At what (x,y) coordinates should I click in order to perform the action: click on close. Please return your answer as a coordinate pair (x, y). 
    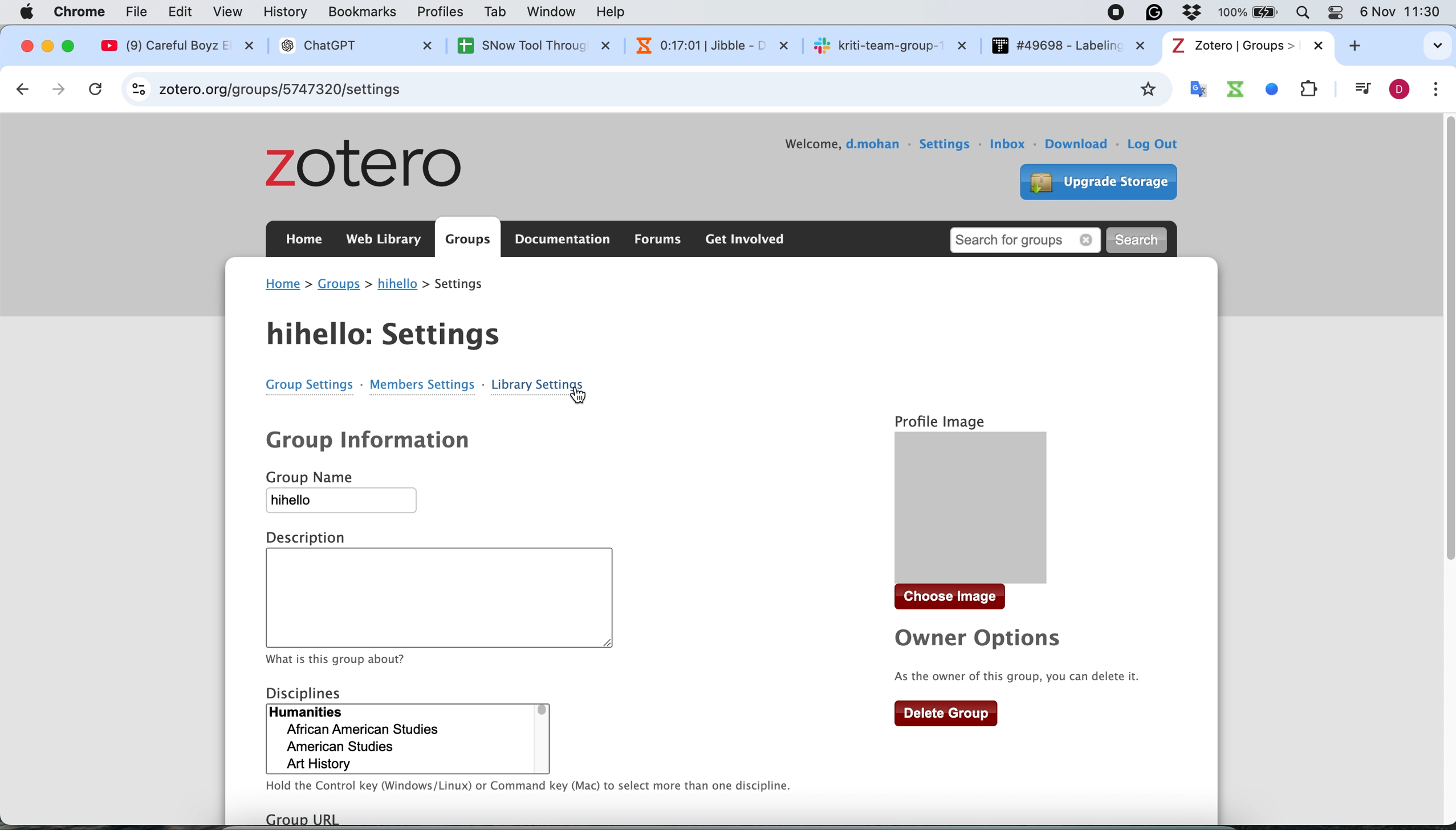
    Looking at the image, I should click on (25, 46).